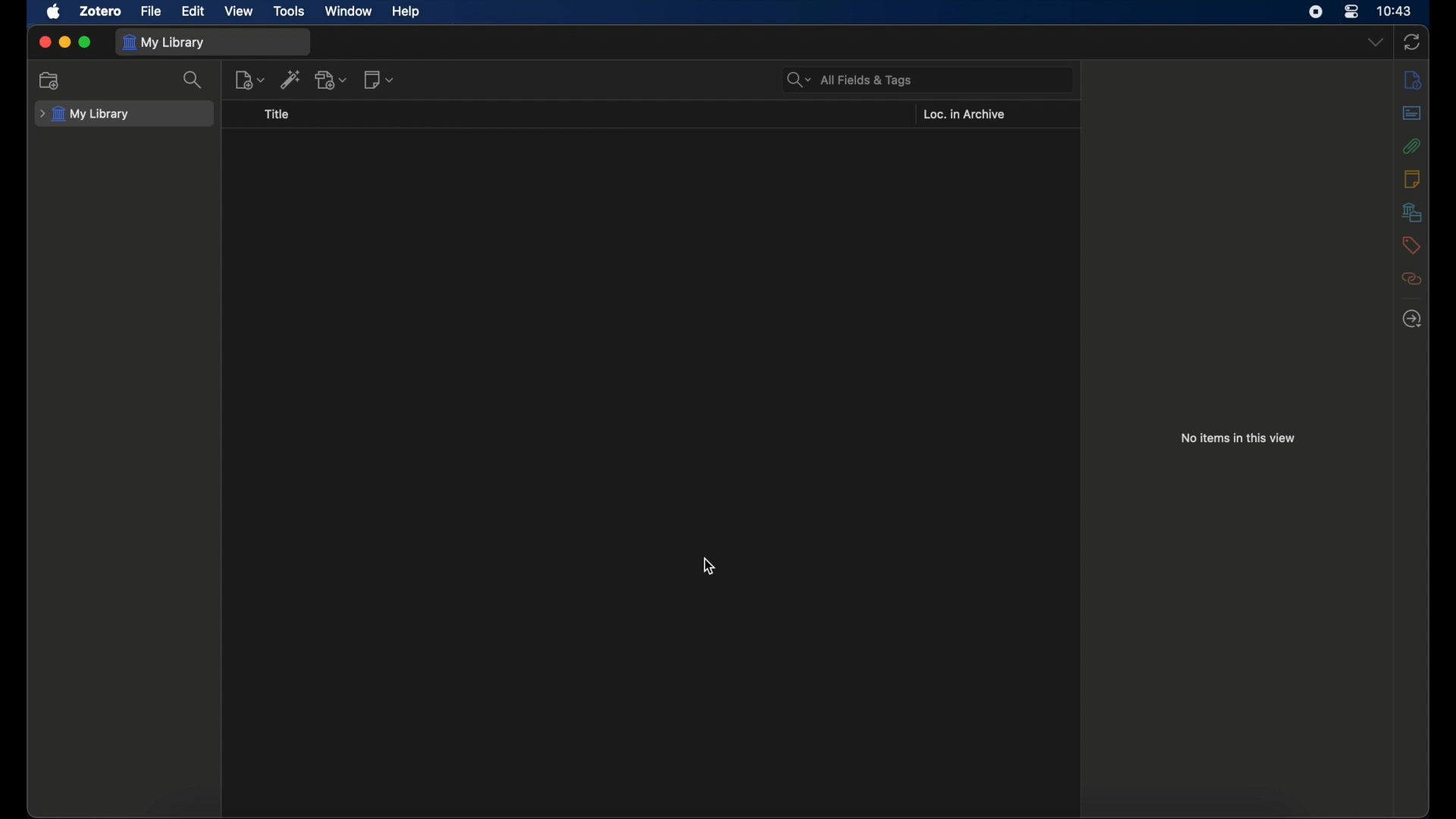 Image resolution: width=1456 pixels, height=819 pixels. I want to click on notes, so click(1412, 179).